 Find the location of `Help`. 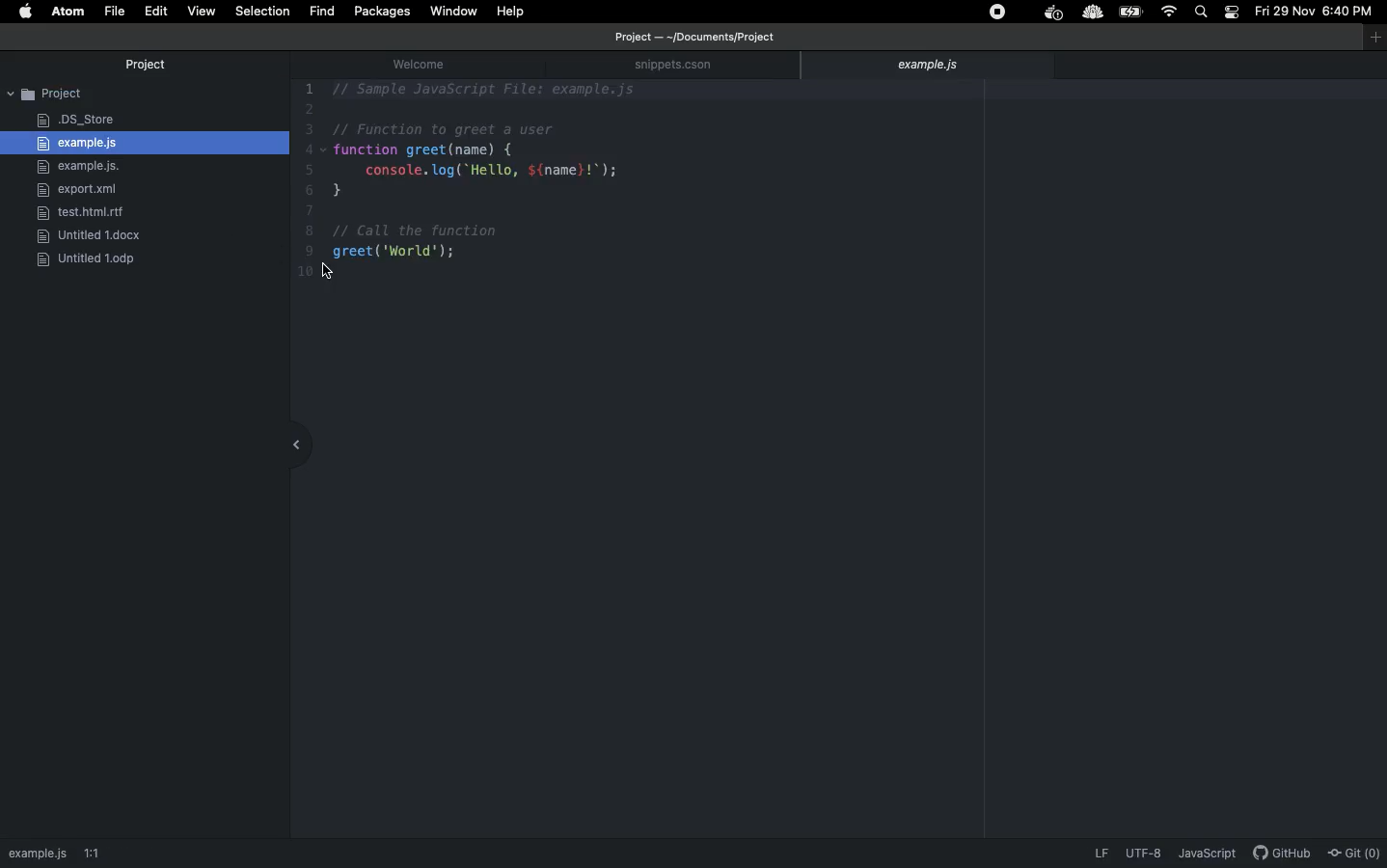

Help is located at coordinates (511, 11).